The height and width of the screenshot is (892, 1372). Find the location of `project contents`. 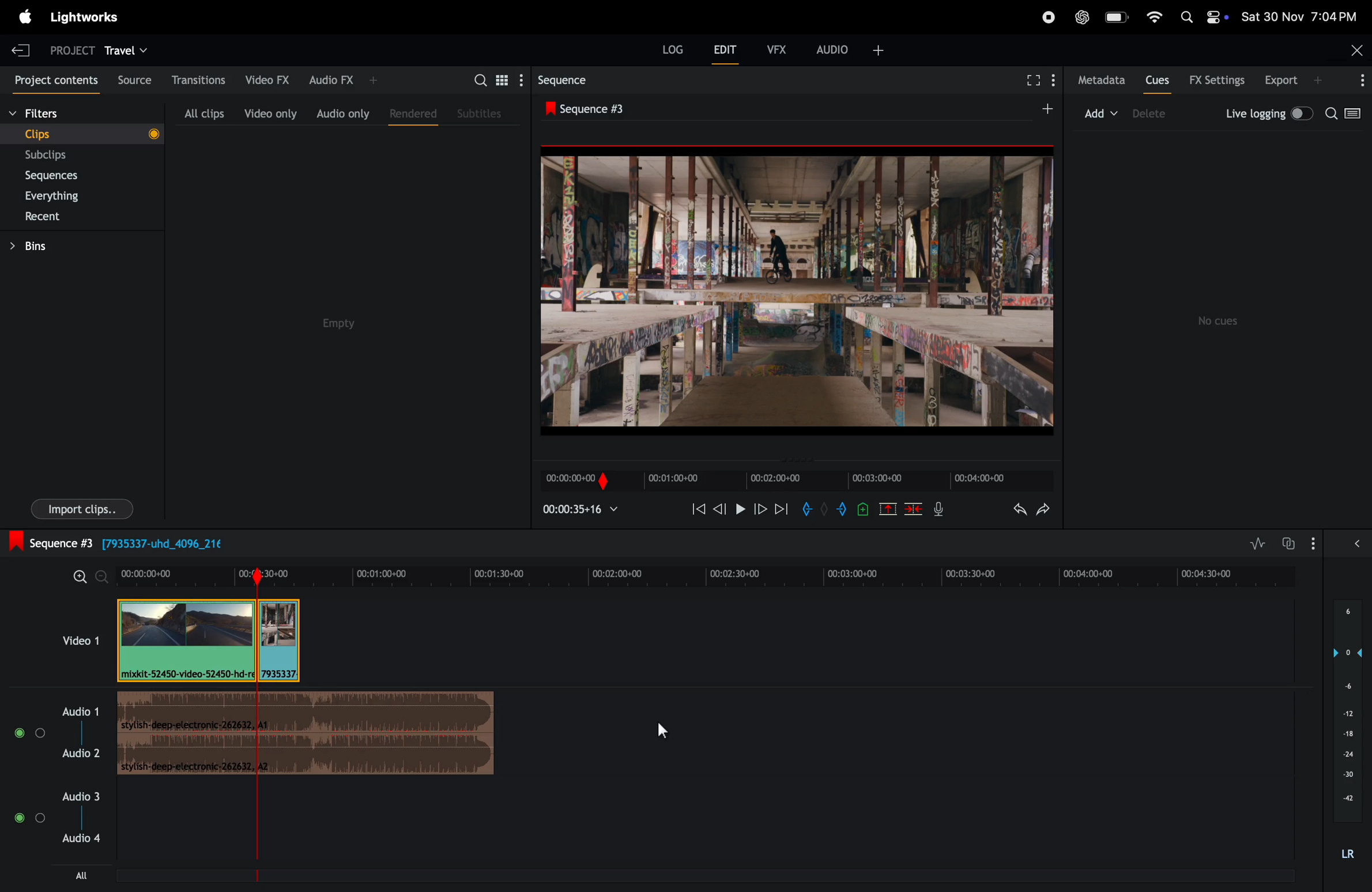

project contents is located at coordinates (51, 78).